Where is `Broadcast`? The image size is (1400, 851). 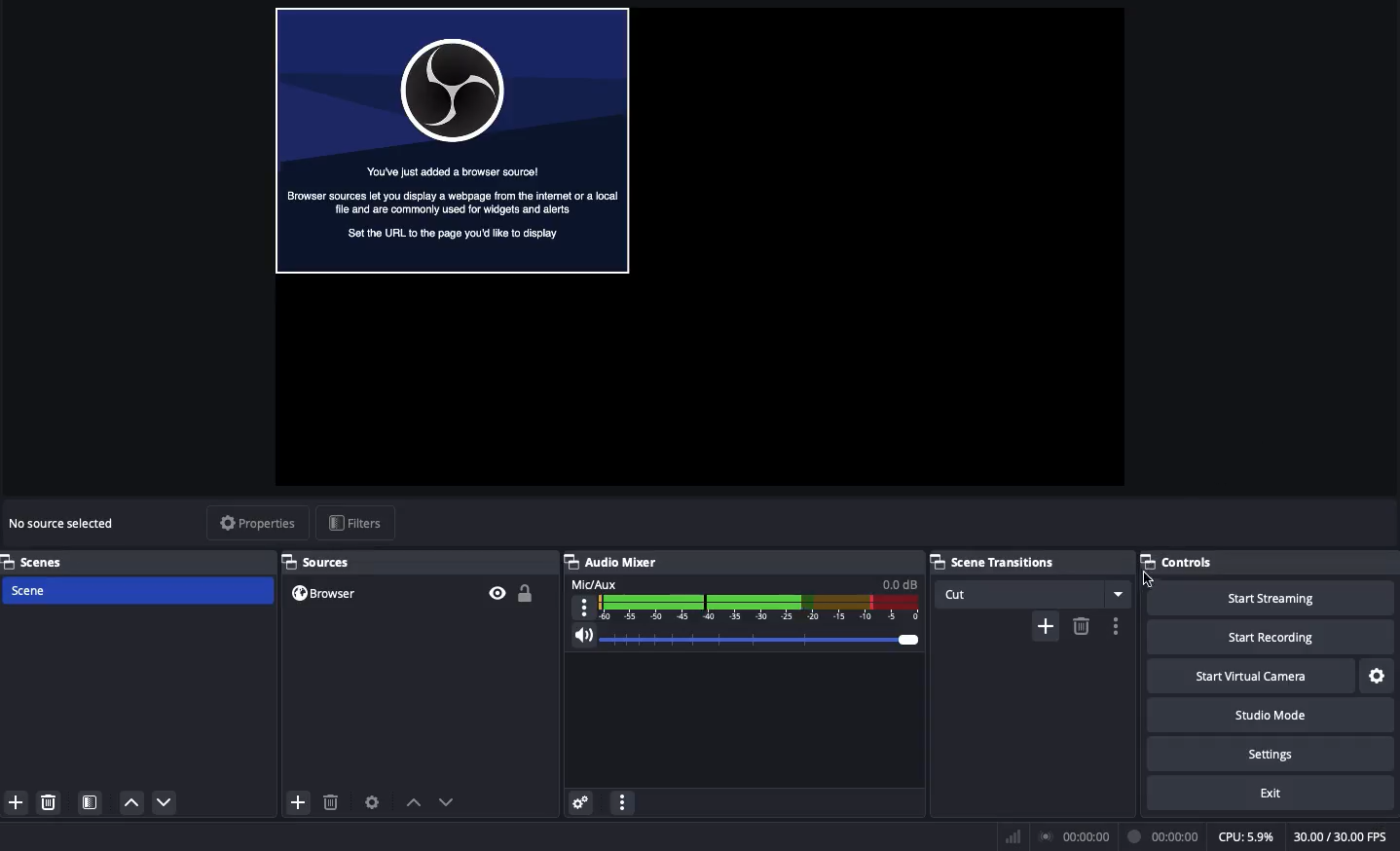 Broadcast is located at coordinates (1071, 835).